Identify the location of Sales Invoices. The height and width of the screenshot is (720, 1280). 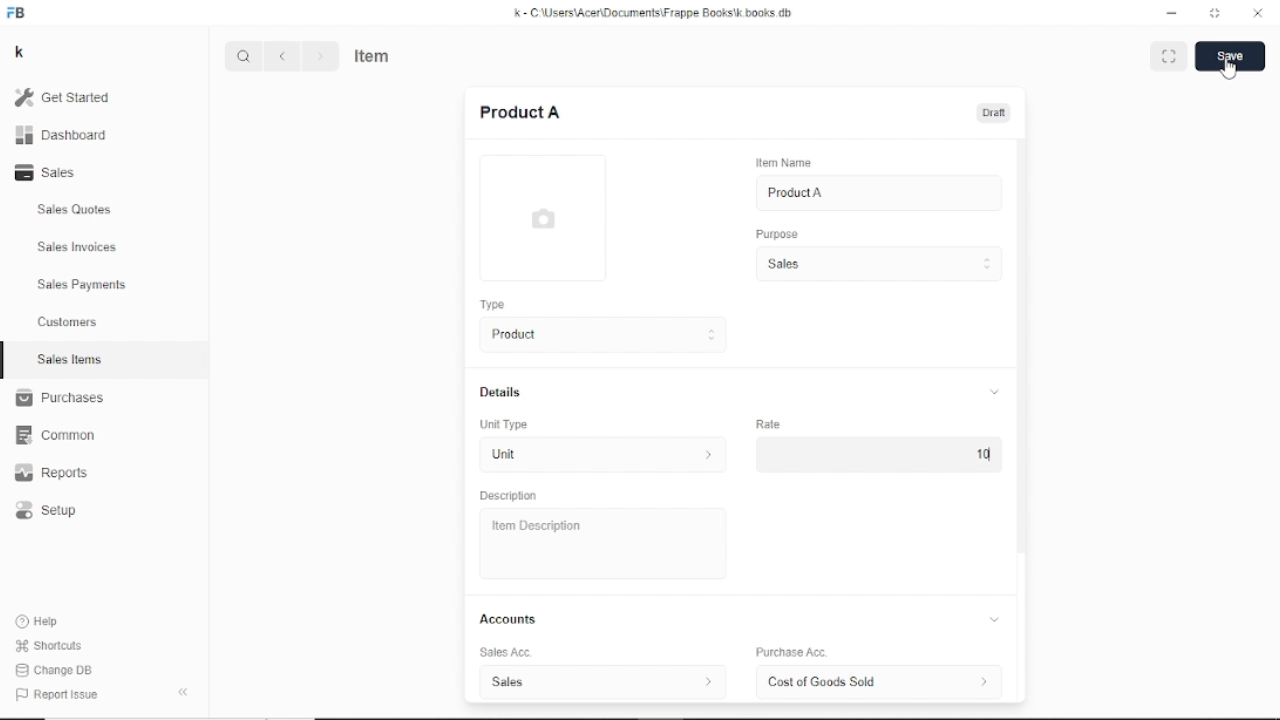
(77, 248).